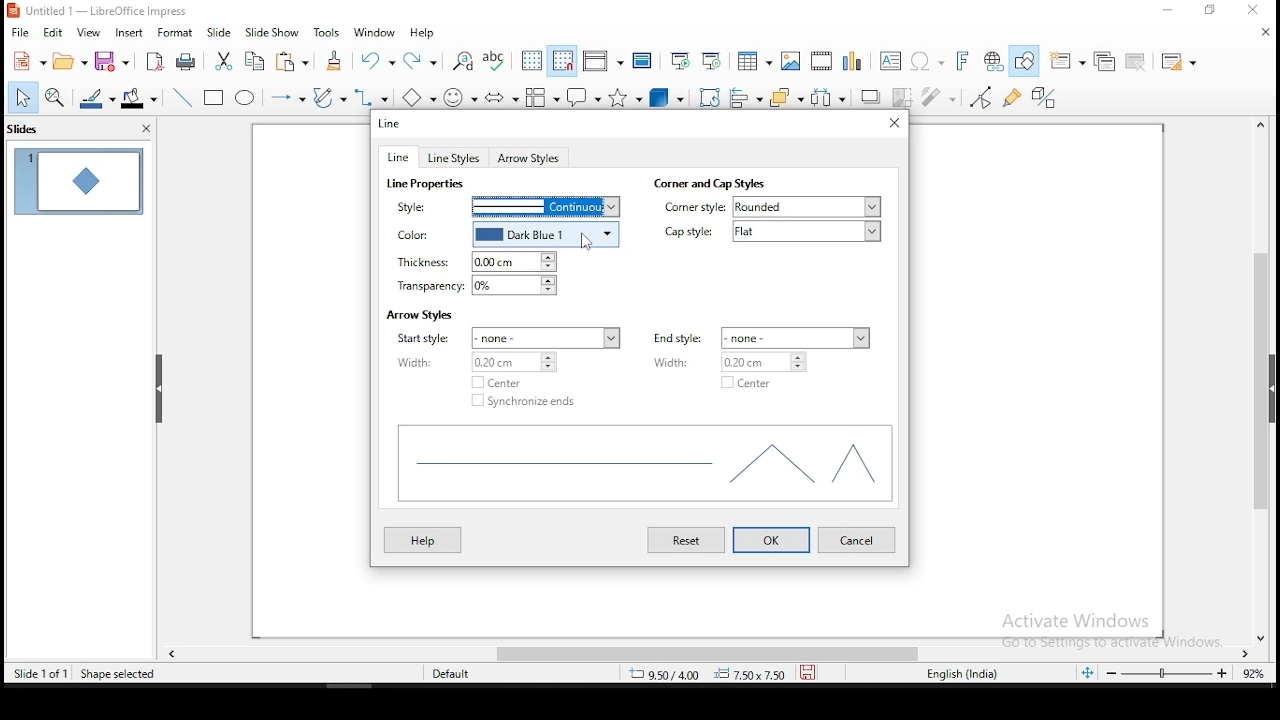  Describe the element at coordinates (189, 60) in the screenshot. I see `print` at that location.